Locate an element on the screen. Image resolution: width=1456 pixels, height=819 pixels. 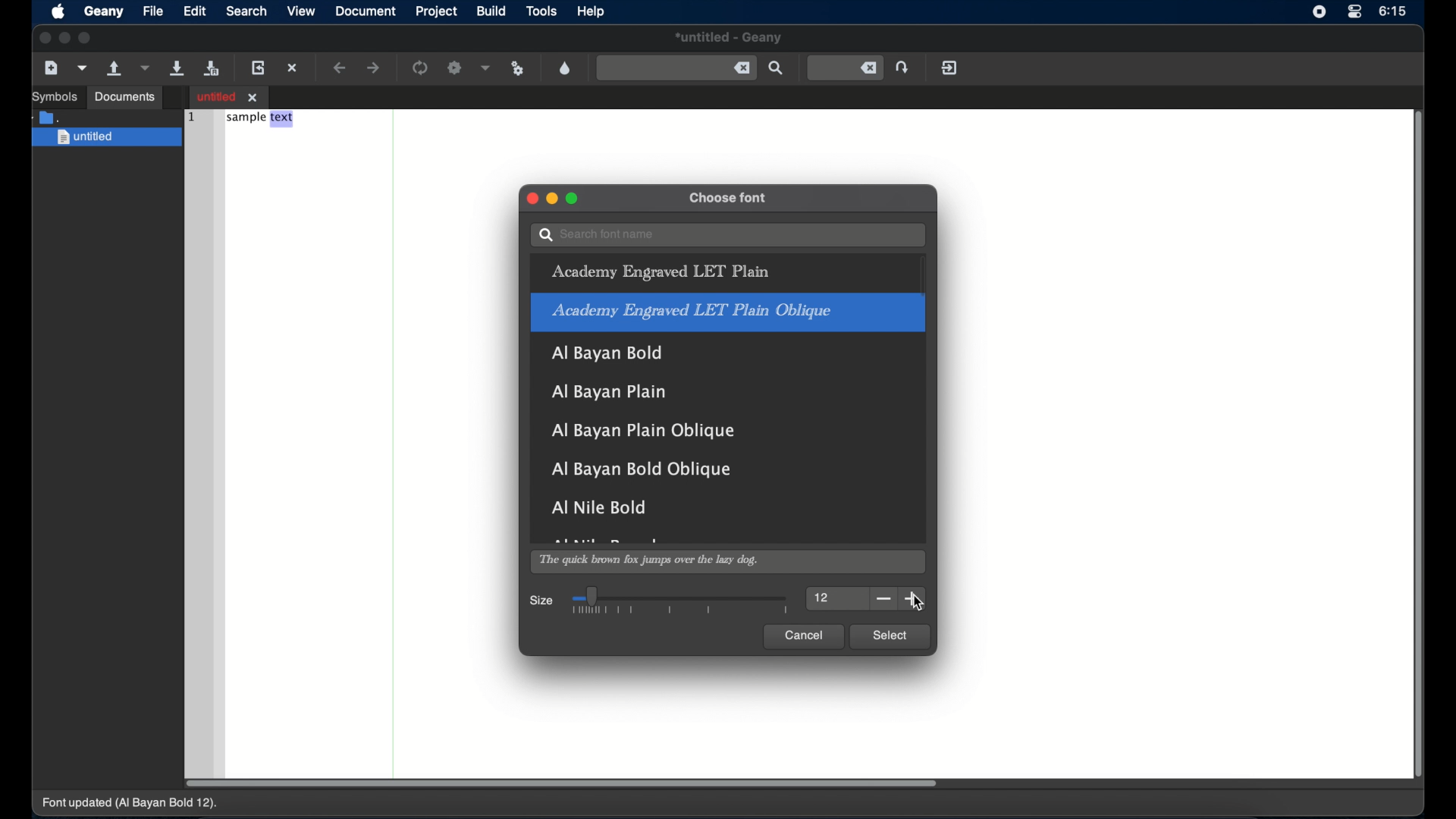
run or view the current file is located at coordinates (518, 67).